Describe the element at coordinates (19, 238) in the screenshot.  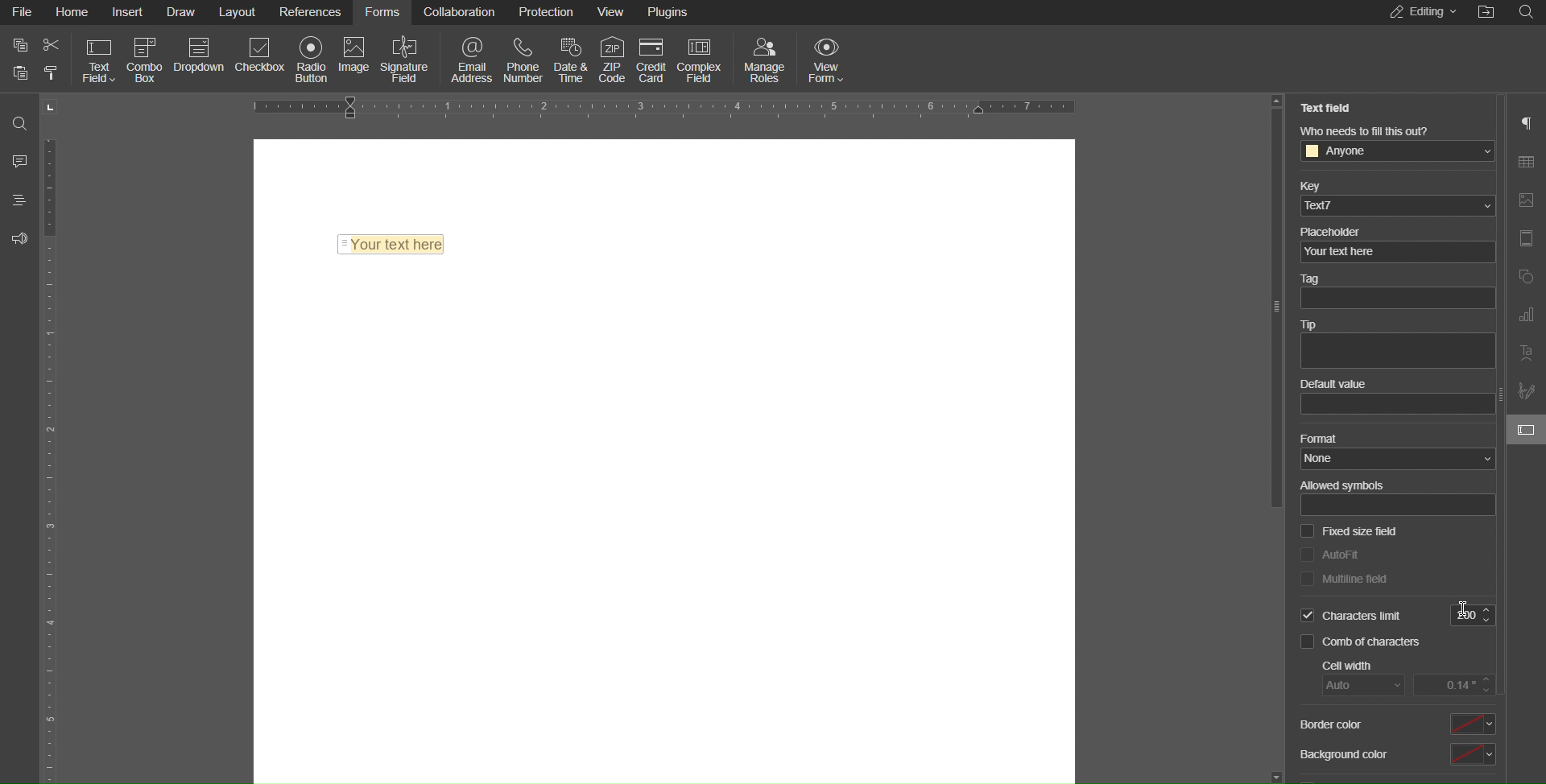
I see `Feedback and Support` at that location.